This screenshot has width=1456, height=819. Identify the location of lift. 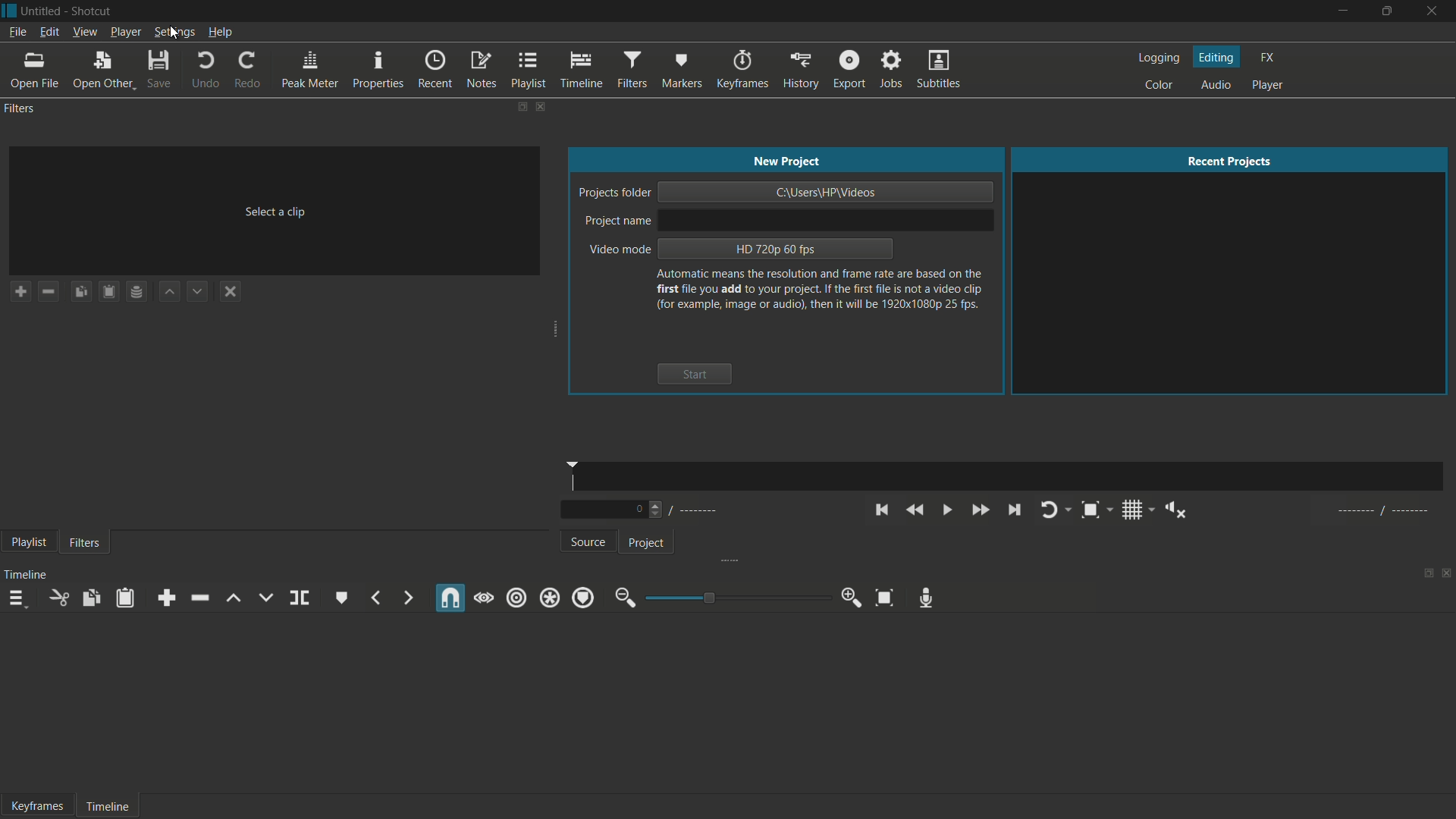
(231, 598).